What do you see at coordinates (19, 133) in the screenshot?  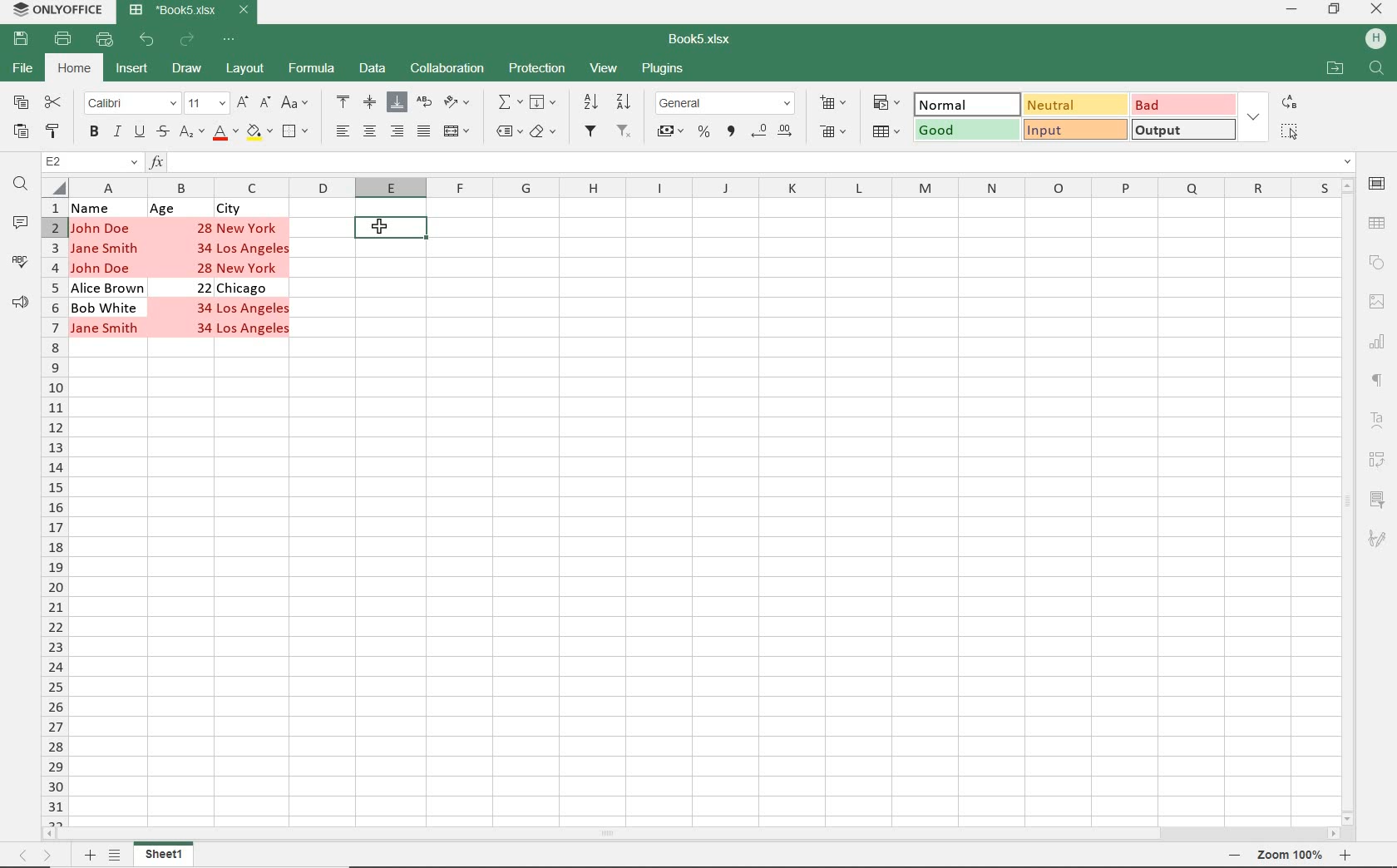 I see `PASTE` at bounding box center [19, 133].